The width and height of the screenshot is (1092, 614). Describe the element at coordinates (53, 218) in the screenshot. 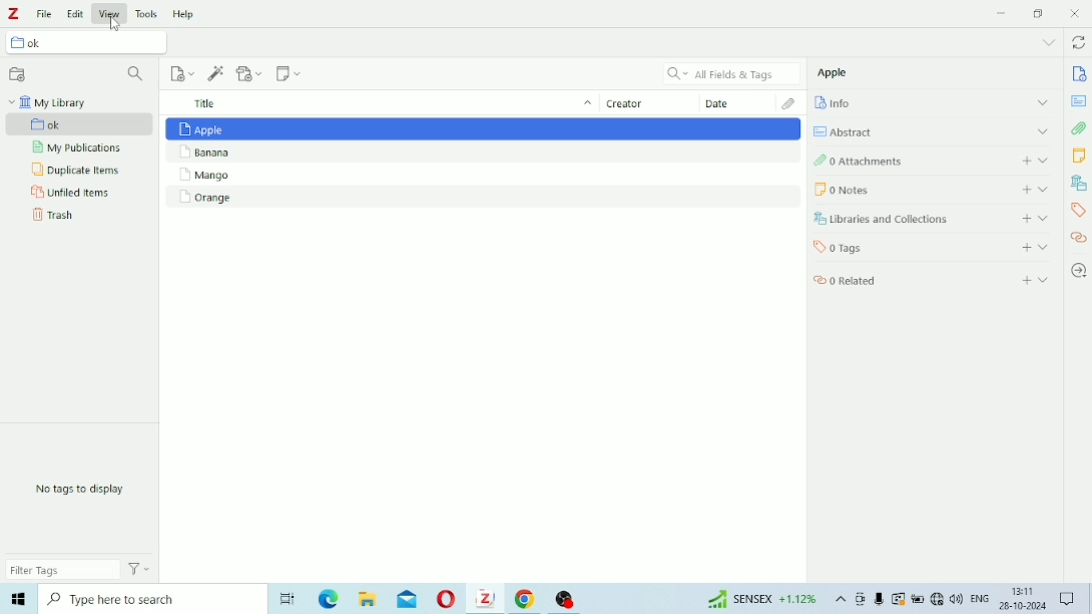

I see `Trash` at that location.